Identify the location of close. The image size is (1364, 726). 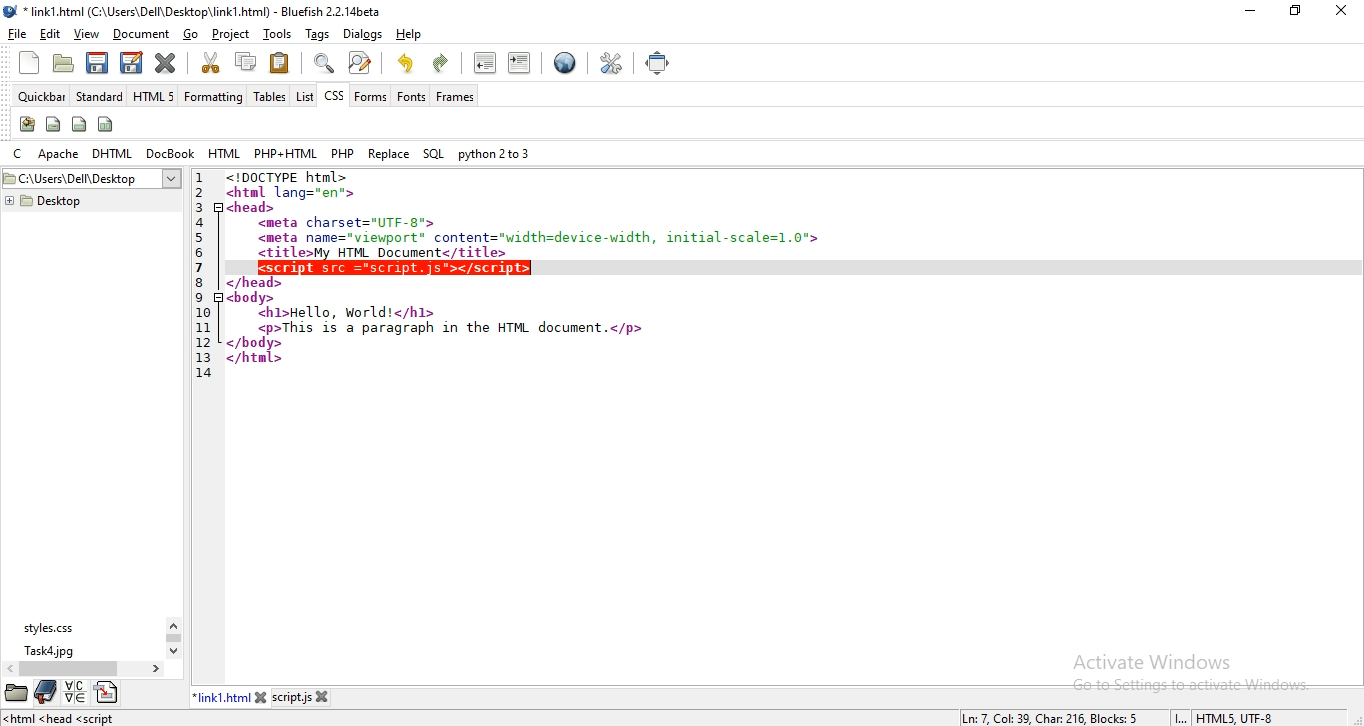
(263, 695).